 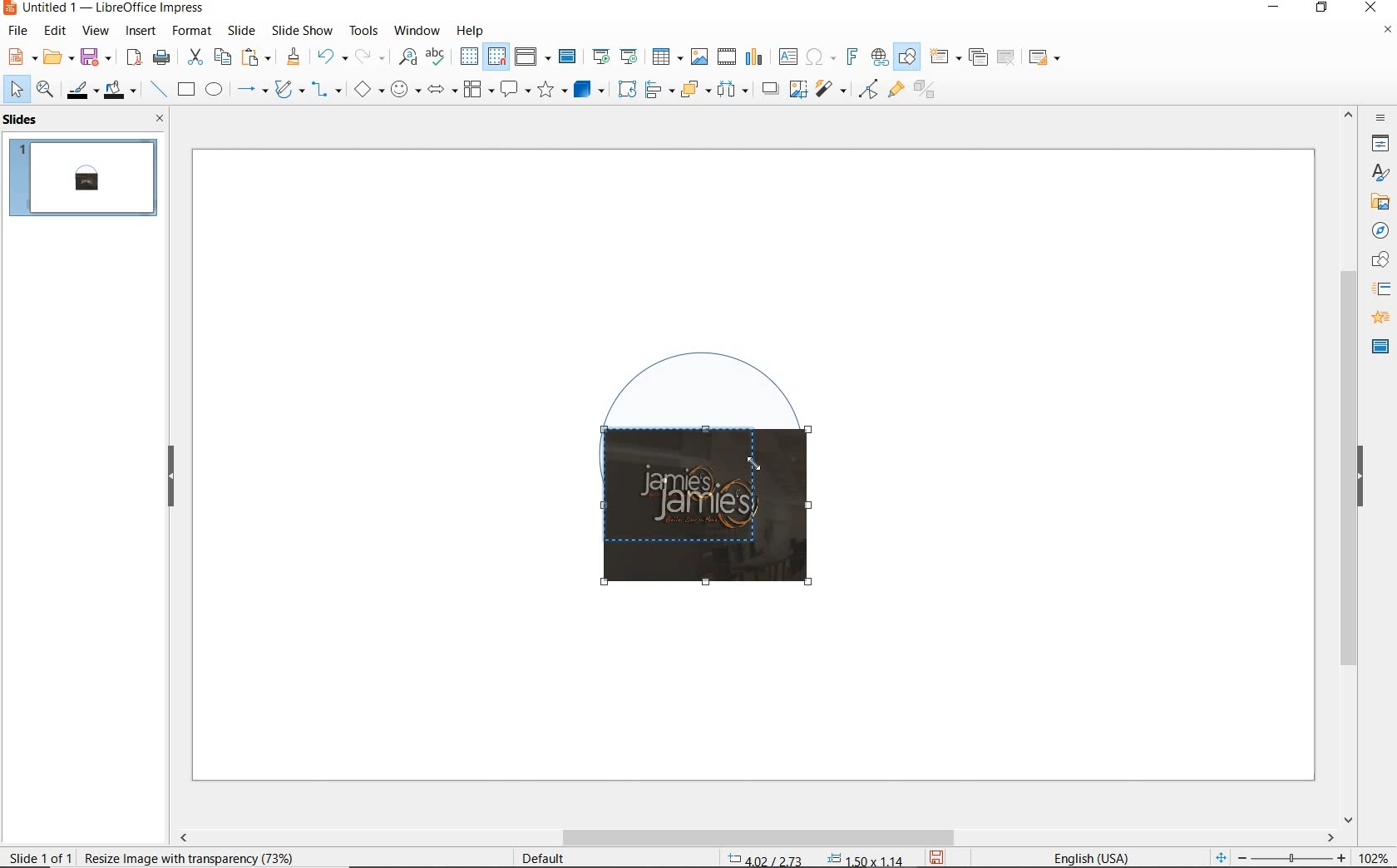 What do you see at coordinates (190, 30) in the screenshot?
I see `format` at bounding box center [190, 30].